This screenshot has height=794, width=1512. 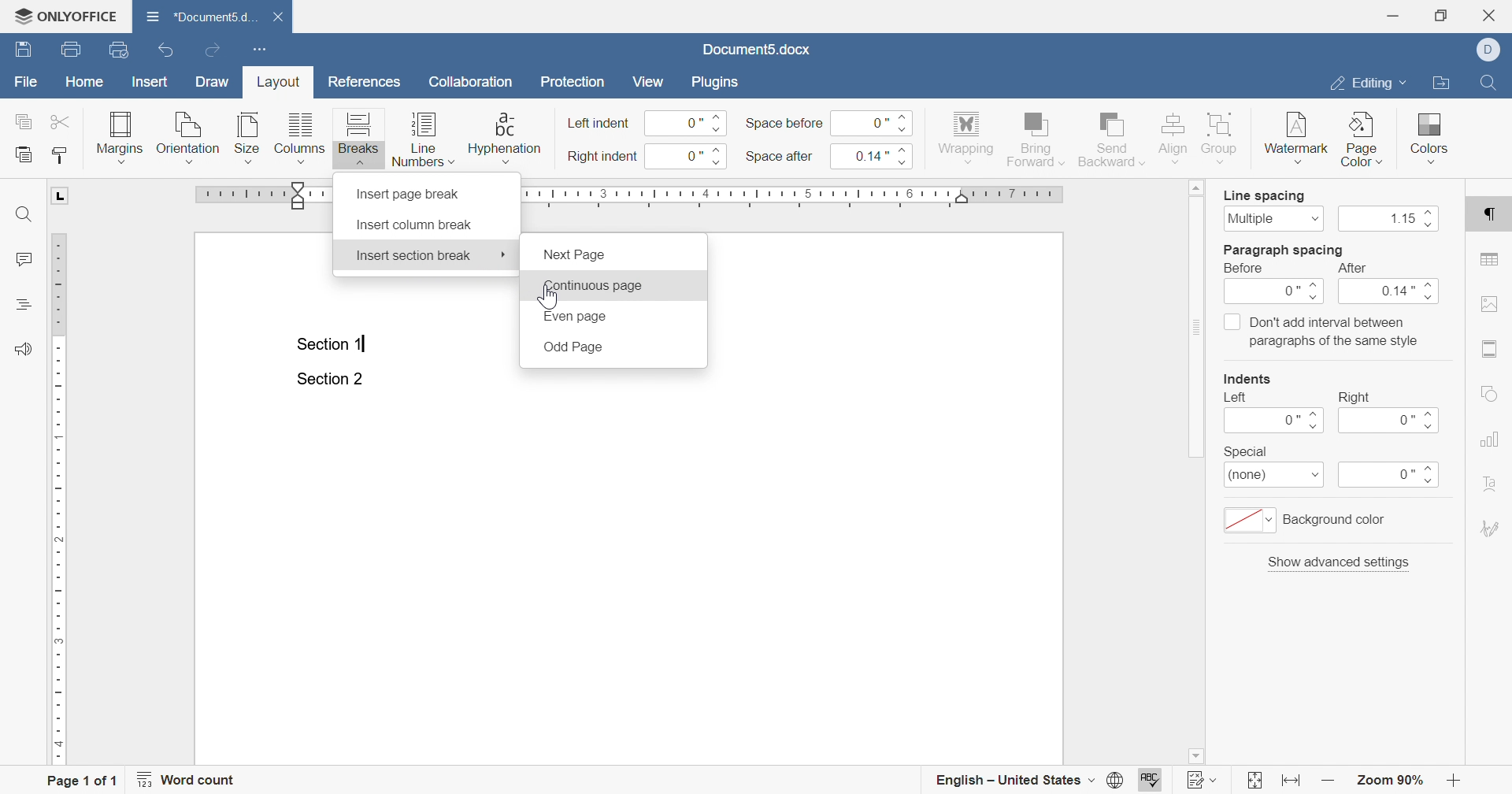 I want to click on insert, so click(x=151, y=83).